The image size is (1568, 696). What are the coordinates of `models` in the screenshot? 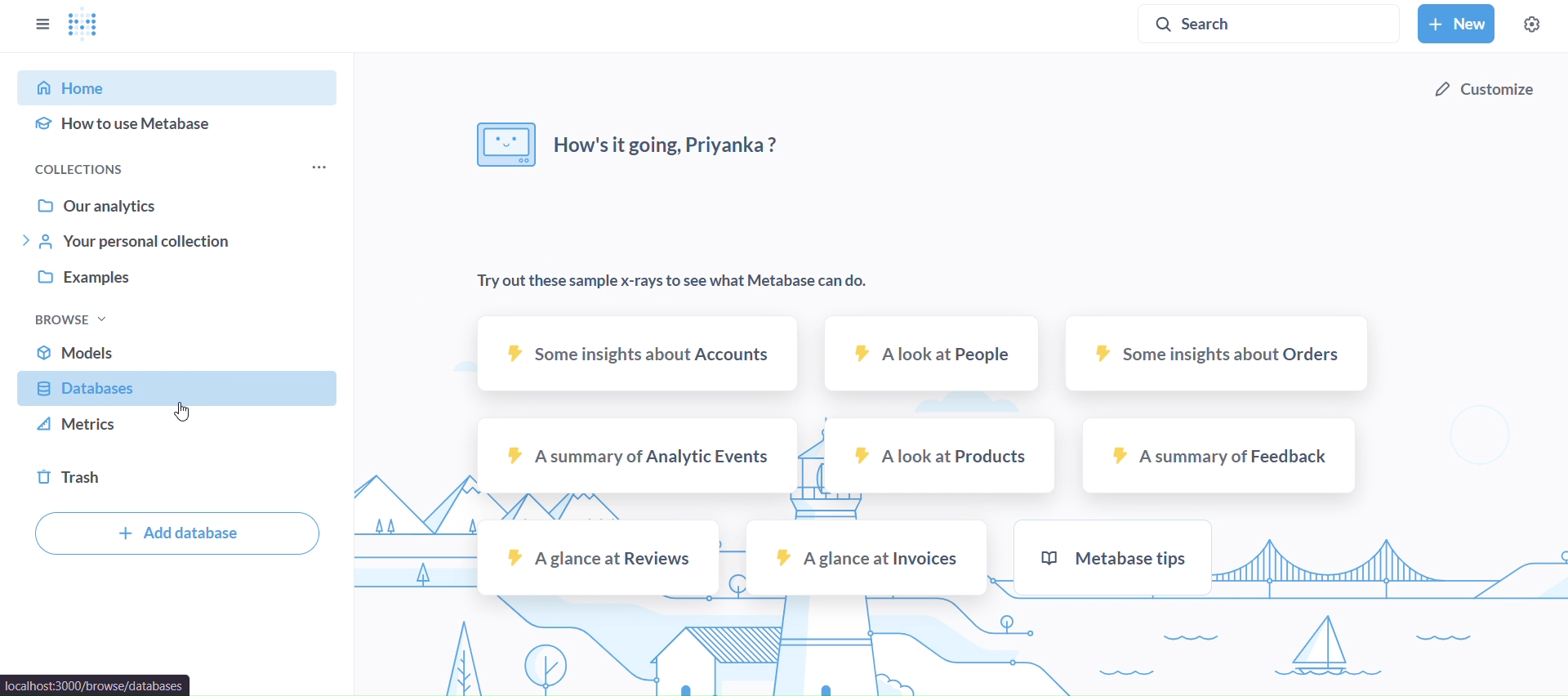 It's located at (180, 351).